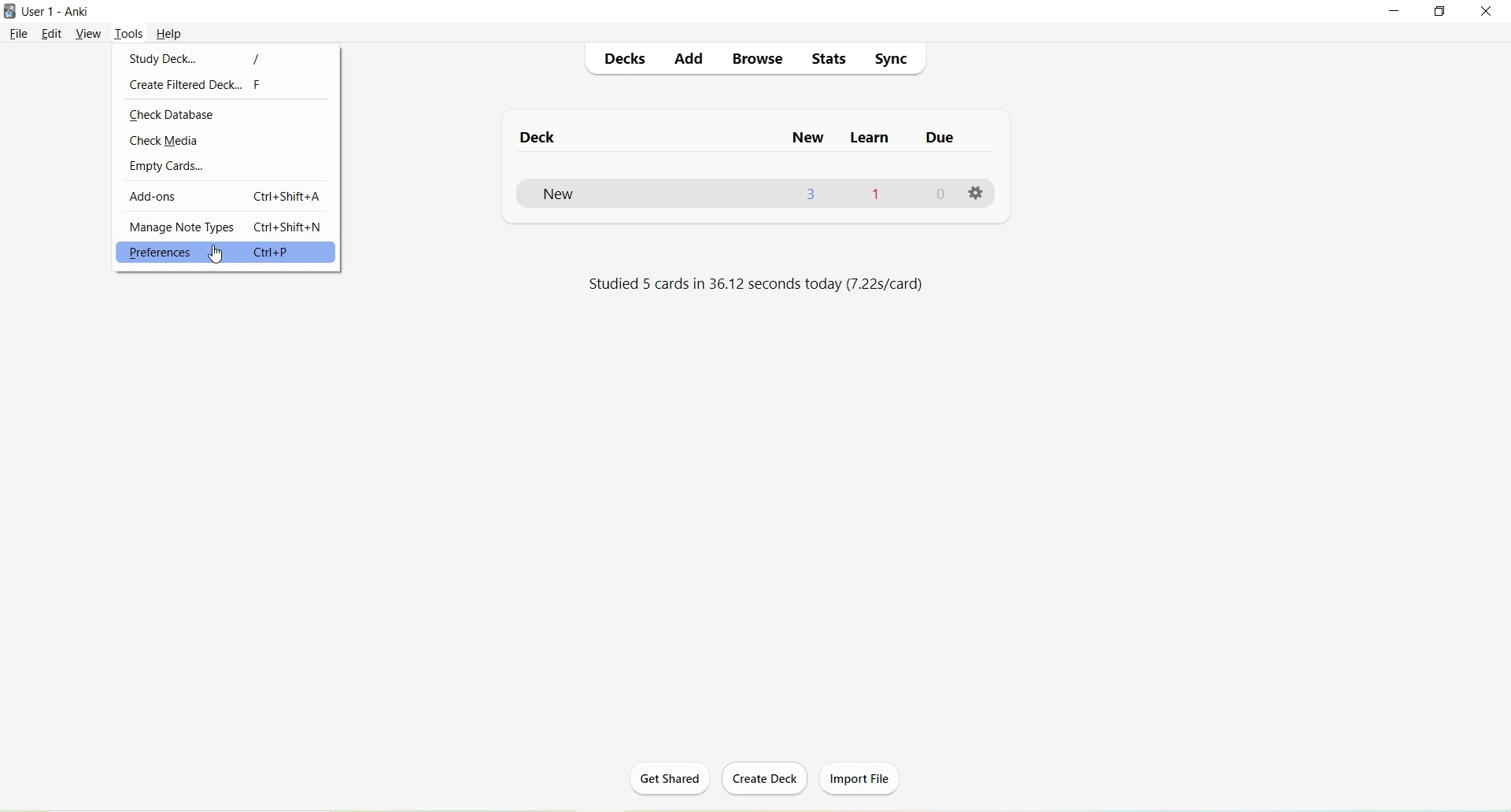 The width and height of the screenshot is (1511, 812). What do you see at coordinates (1445, 13) in the screenshot?
I see `Maximize` at bounding box center [1445, 13].